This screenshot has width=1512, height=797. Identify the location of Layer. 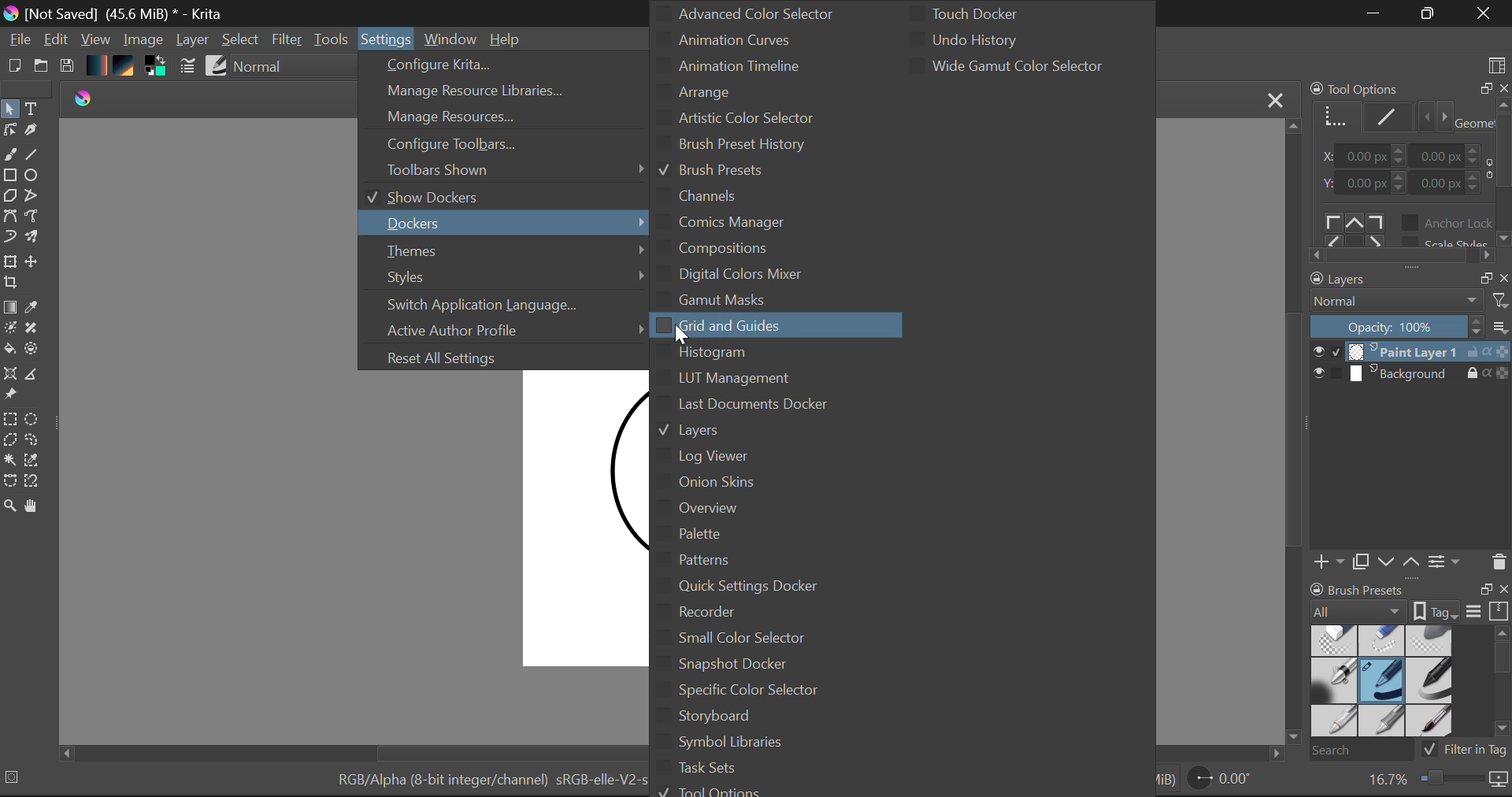
(194, 41).